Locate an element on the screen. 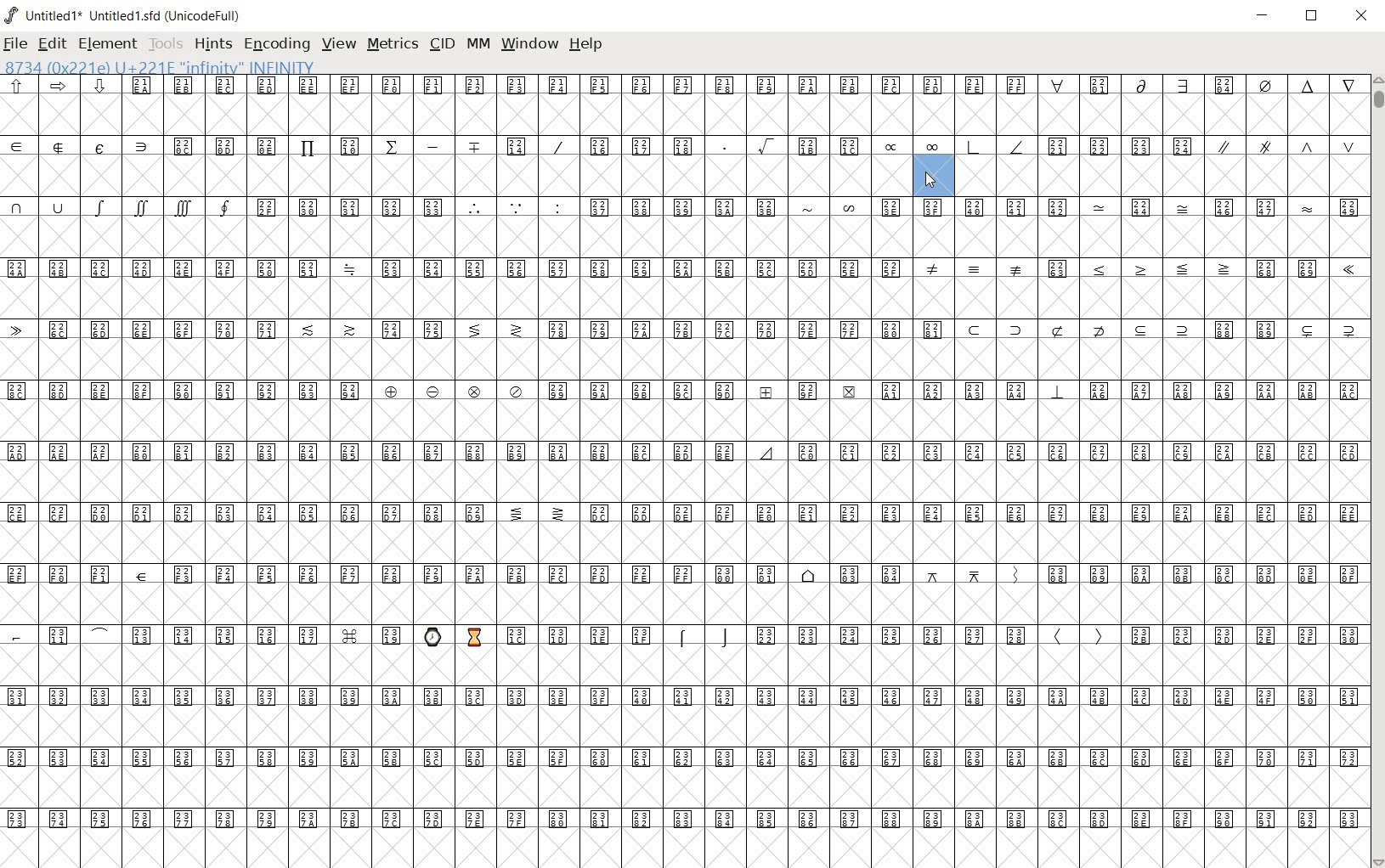  empty glyph slots is located at coordinates (684, 603).